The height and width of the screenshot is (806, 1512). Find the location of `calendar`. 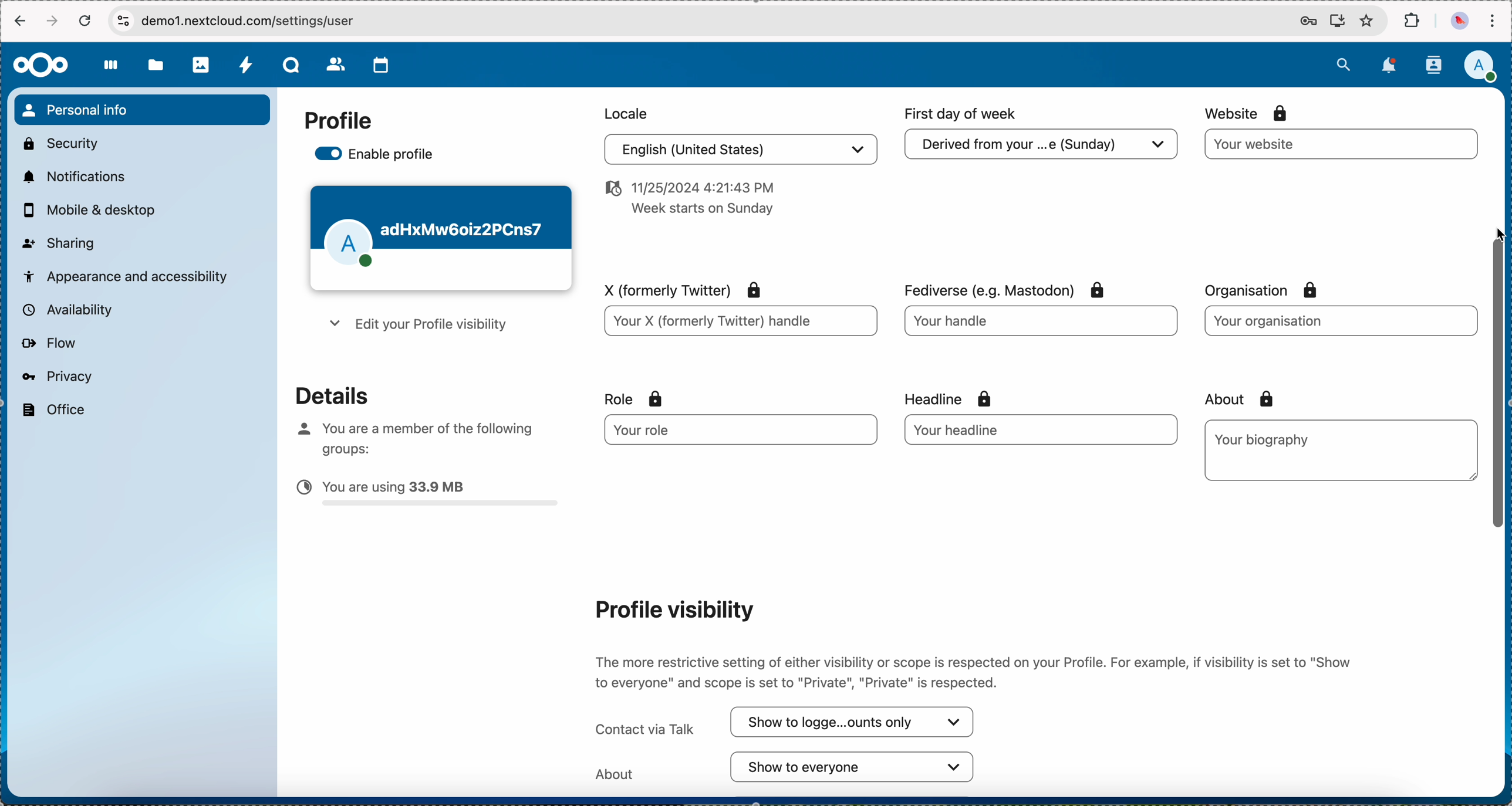

calendar is located at coordinates (382, 65).